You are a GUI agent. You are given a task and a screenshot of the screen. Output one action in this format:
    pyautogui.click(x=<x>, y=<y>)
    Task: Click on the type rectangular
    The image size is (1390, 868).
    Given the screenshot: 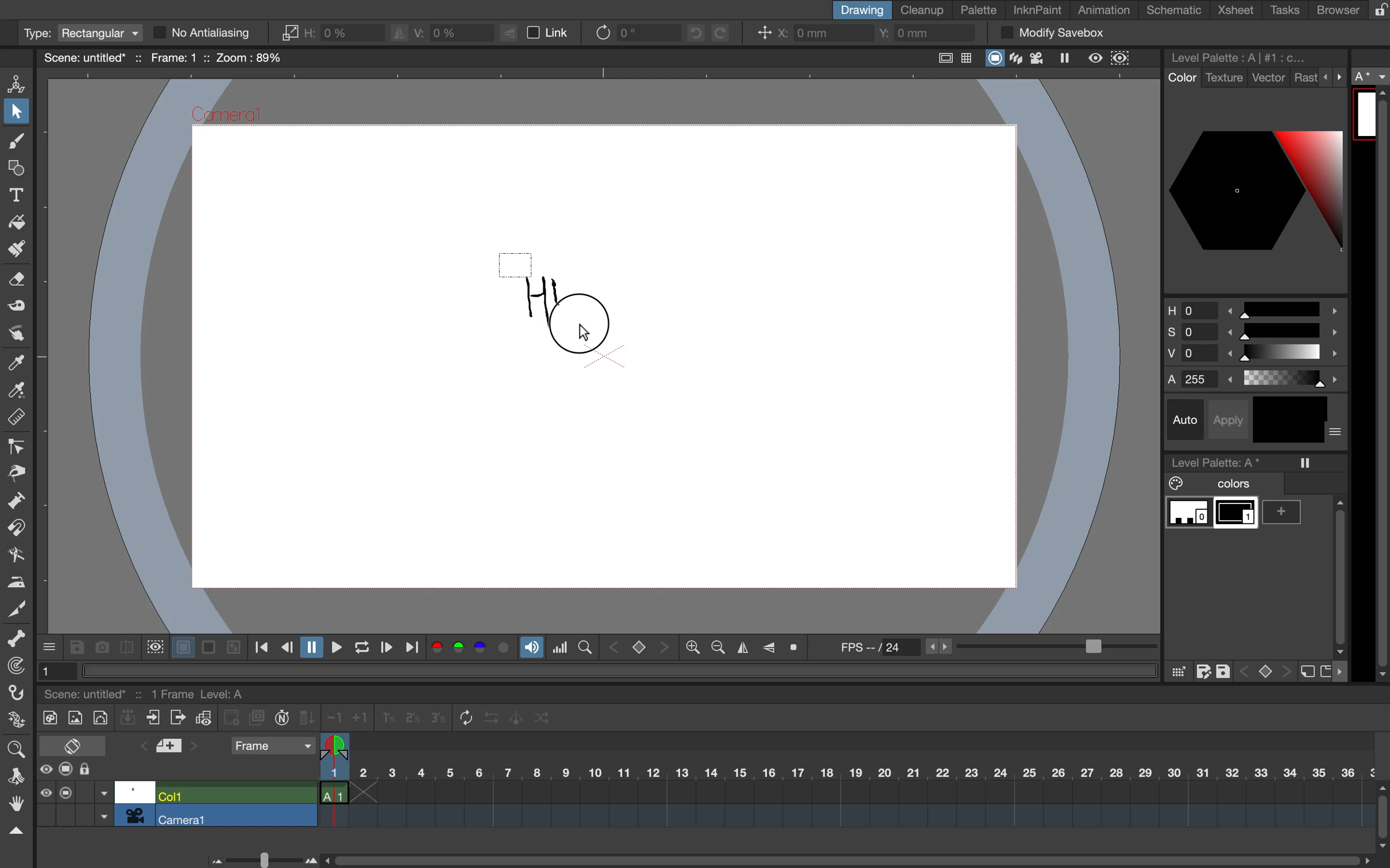 What is the action you would take?
    pyautogui.click(x=80, y=33)
    